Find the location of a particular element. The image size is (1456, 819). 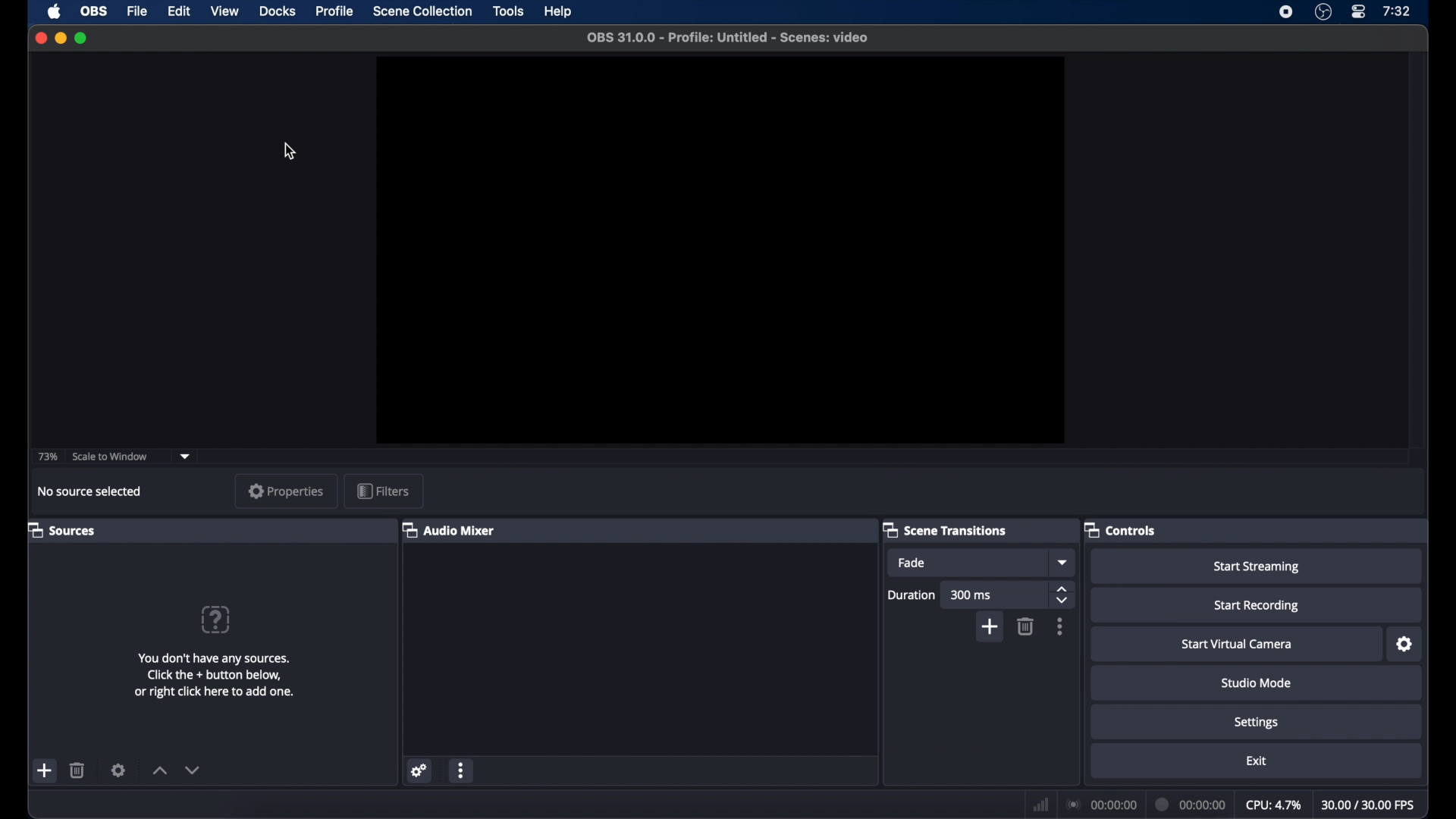

filters is located at coordinates (383, 491).